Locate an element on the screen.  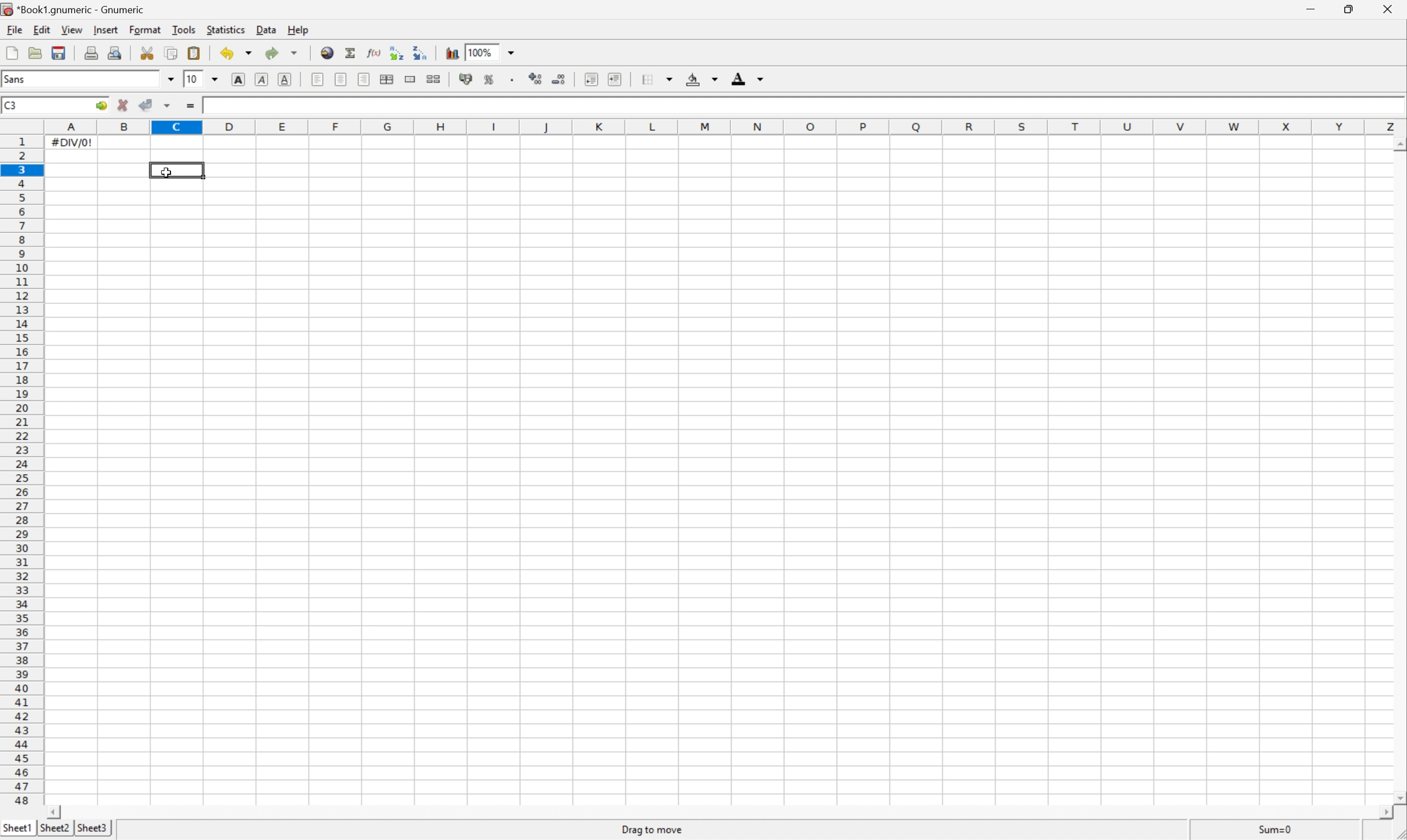
Drop down is located at coordinates (216, 79).